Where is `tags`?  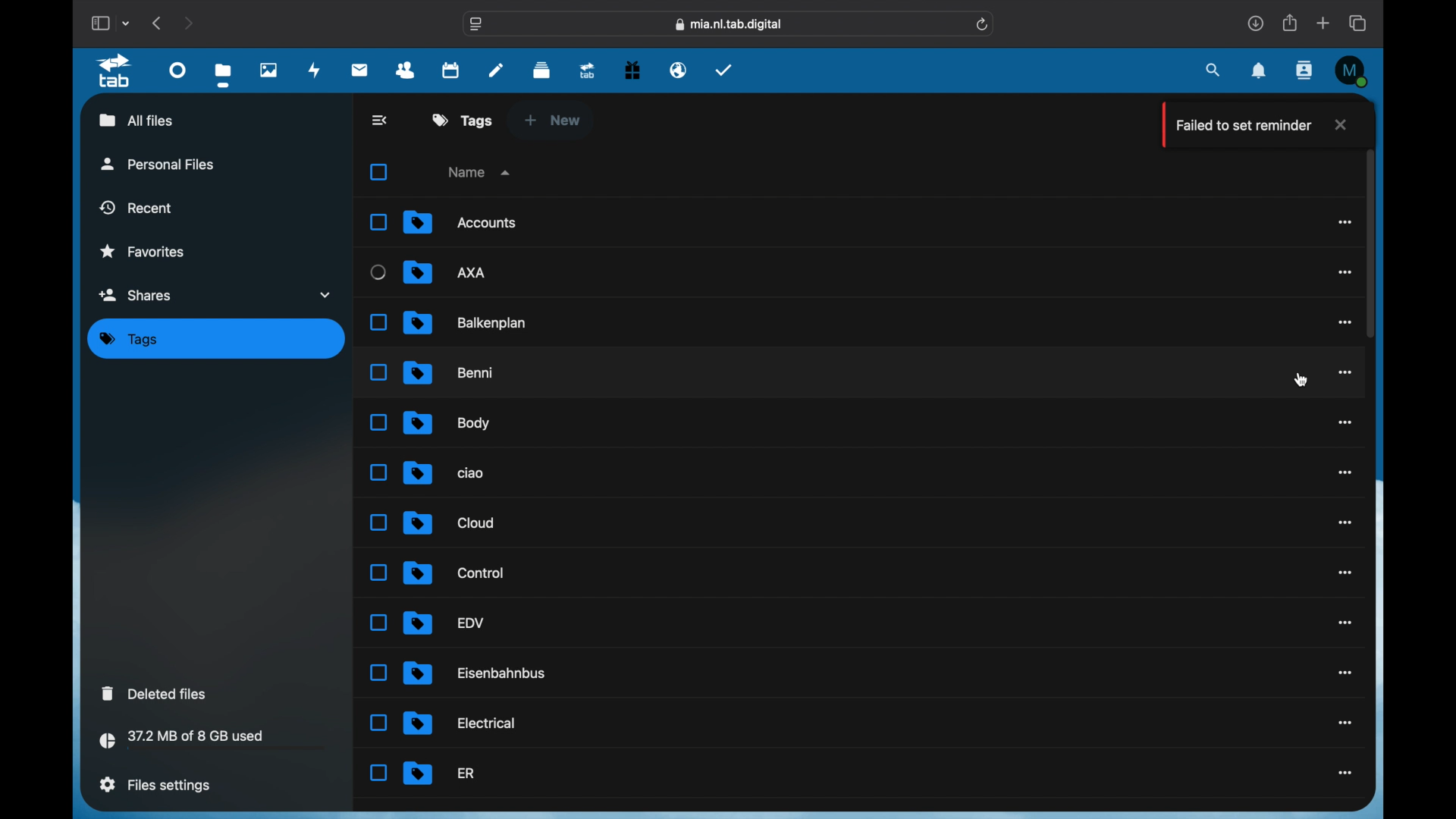
tags is located at coordinates (463, 120).